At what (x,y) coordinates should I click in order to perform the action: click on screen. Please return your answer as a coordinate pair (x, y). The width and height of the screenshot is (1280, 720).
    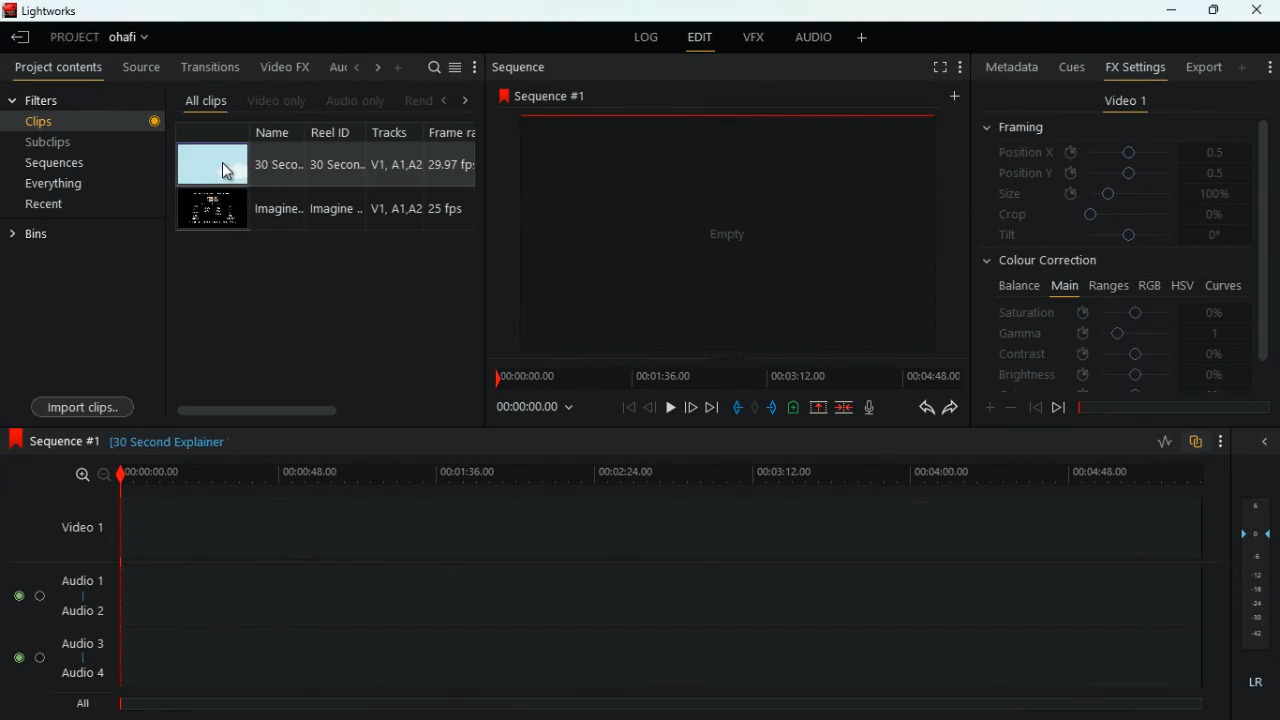
    Looking at the image, I should click on (211, 164).